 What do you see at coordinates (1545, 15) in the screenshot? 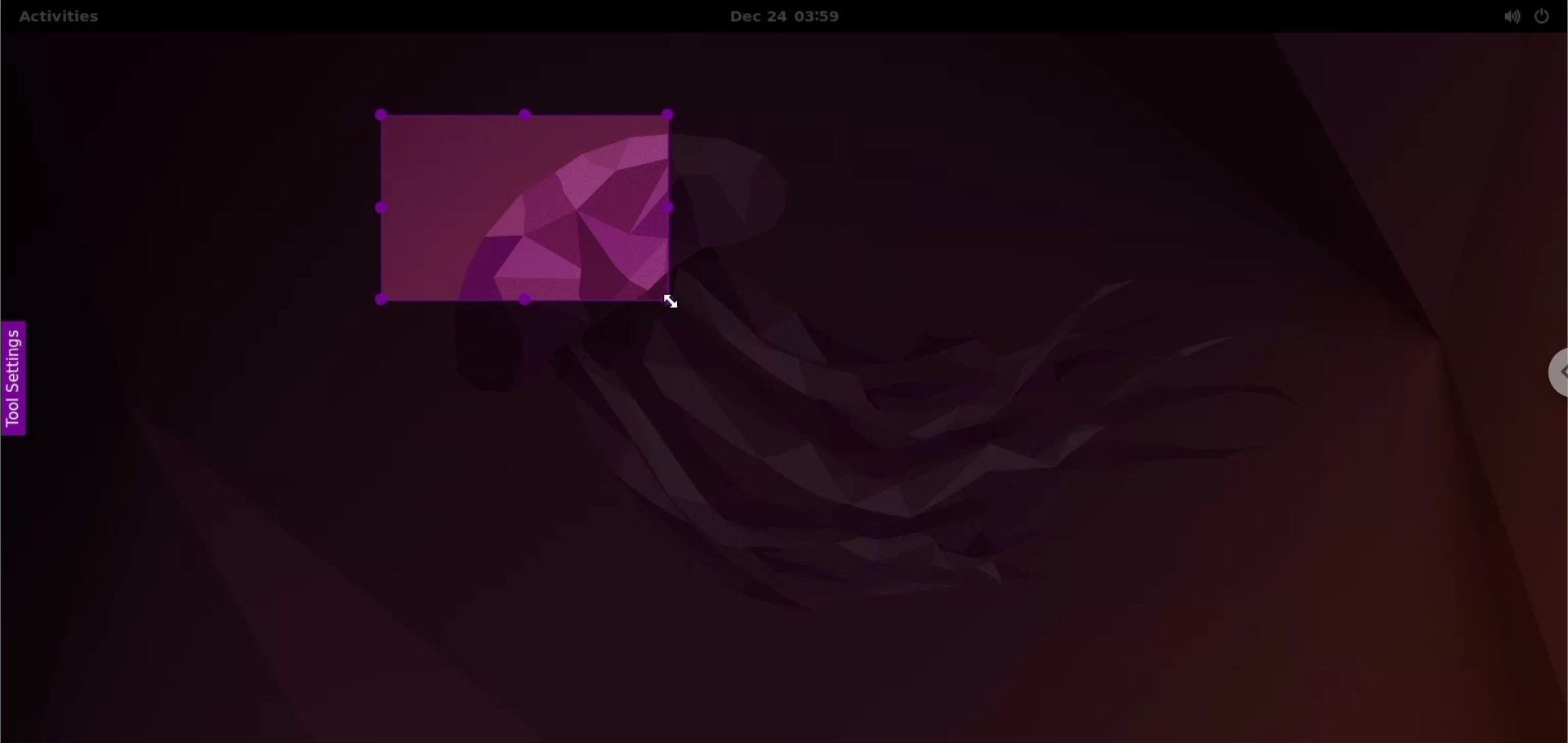
I see `power options ` at bounding box center [1545, 15].